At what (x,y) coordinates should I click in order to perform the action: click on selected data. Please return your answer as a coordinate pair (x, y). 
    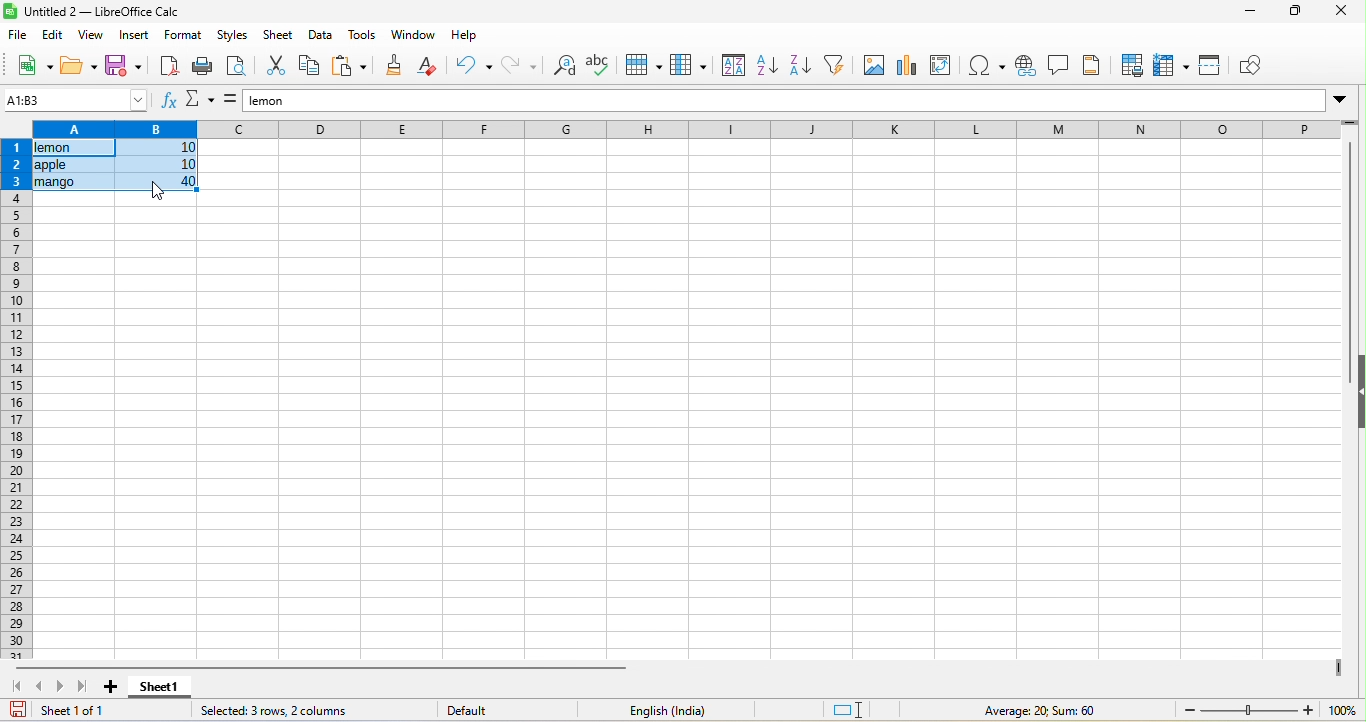
    Looking at the image, I should click on (116, 166).